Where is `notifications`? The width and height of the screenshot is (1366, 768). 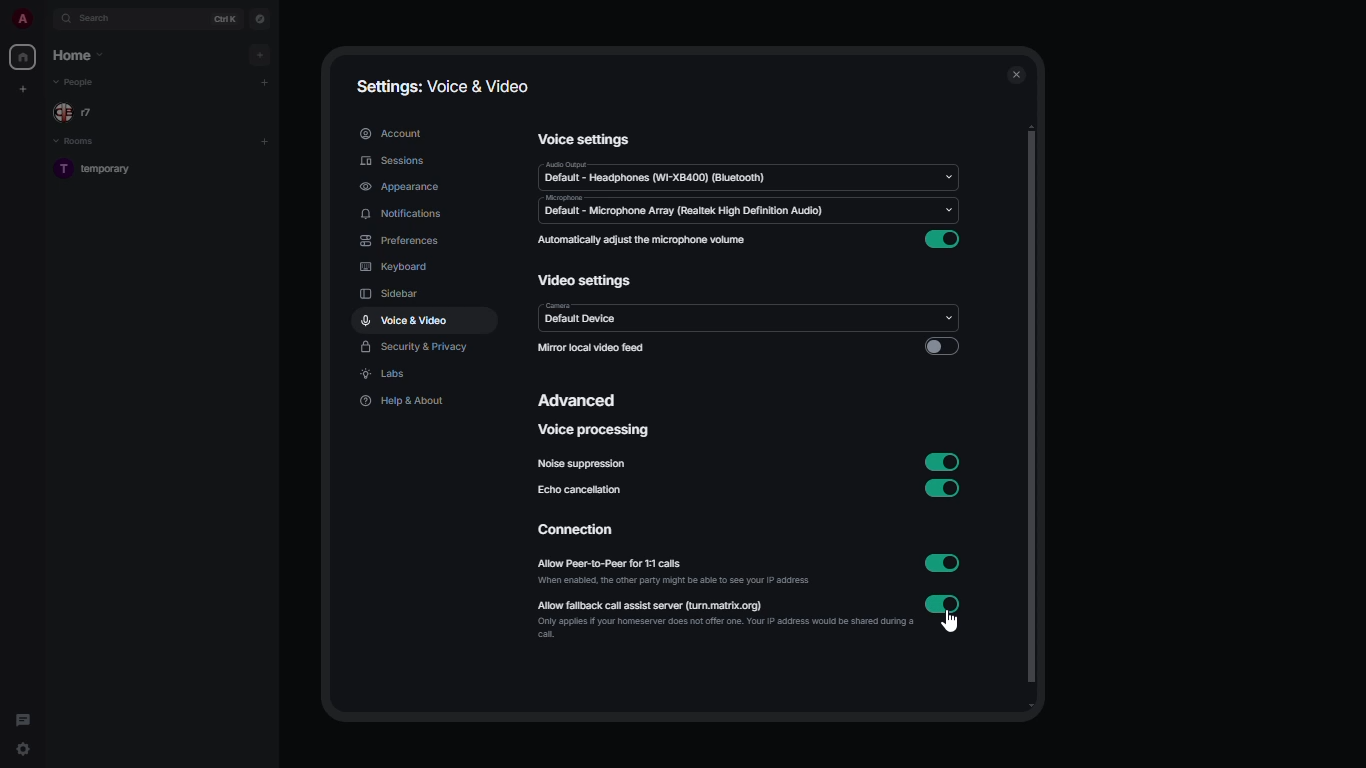 notifications is located at coordinates (402, 215).